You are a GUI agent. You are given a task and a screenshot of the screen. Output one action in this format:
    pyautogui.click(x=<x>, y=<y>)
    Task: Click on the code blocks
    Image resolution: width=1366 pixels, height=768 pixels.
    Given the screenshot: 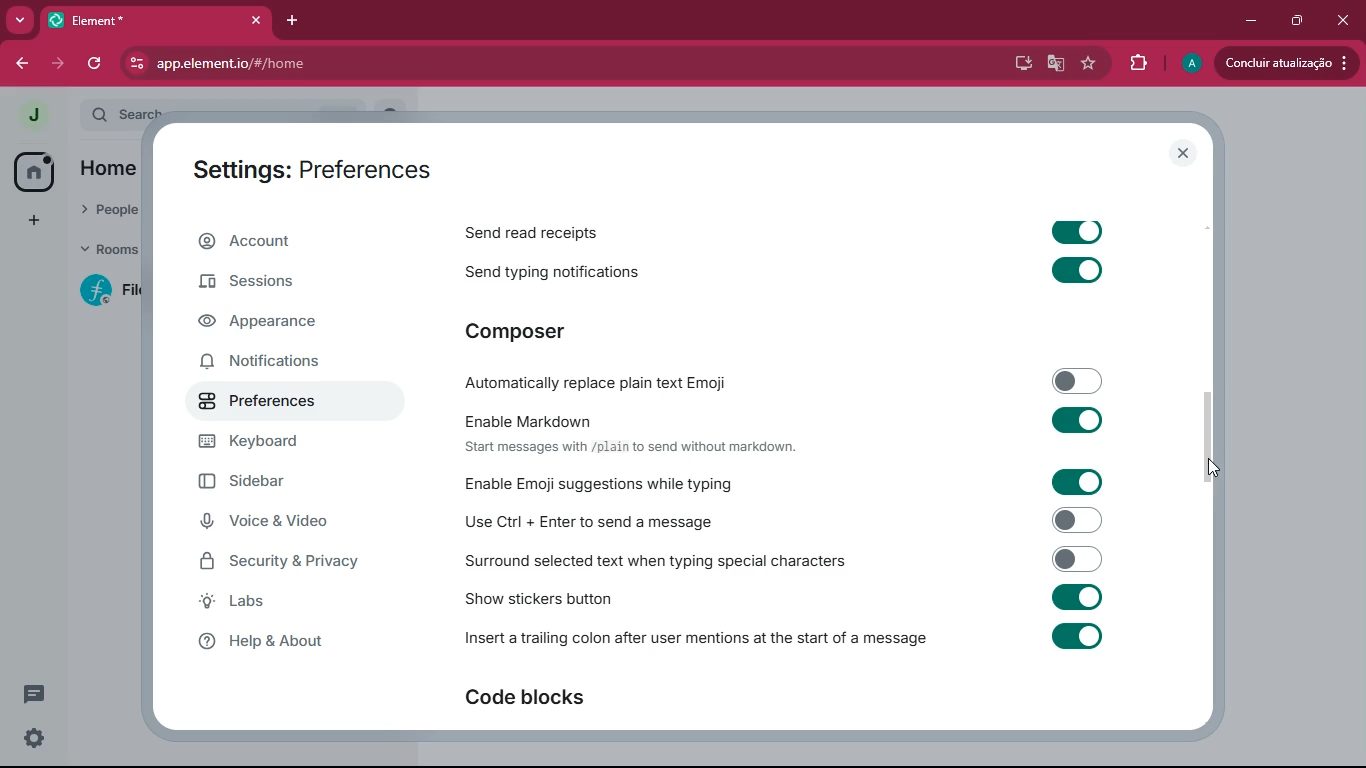 What is the action you would take?
    pyautogui.click(x=534, y=697)
    